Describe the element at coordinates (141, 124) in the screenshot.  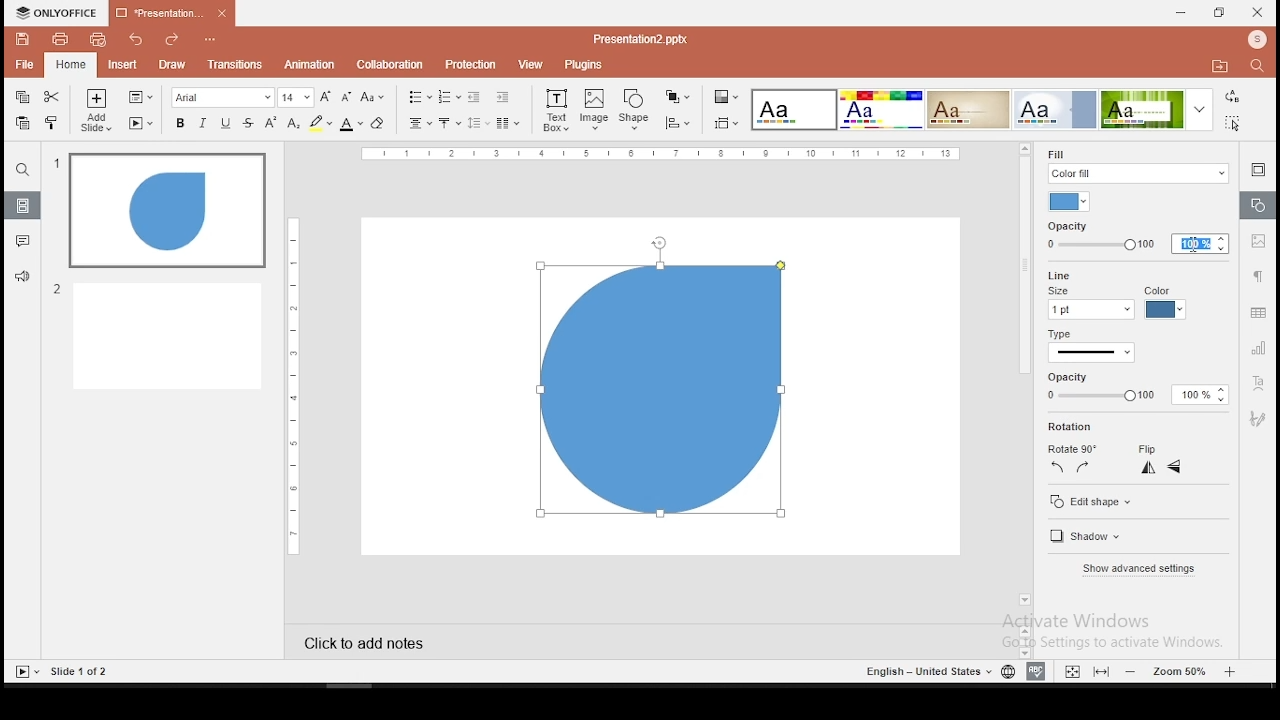
I see `start slideshow` at that location.